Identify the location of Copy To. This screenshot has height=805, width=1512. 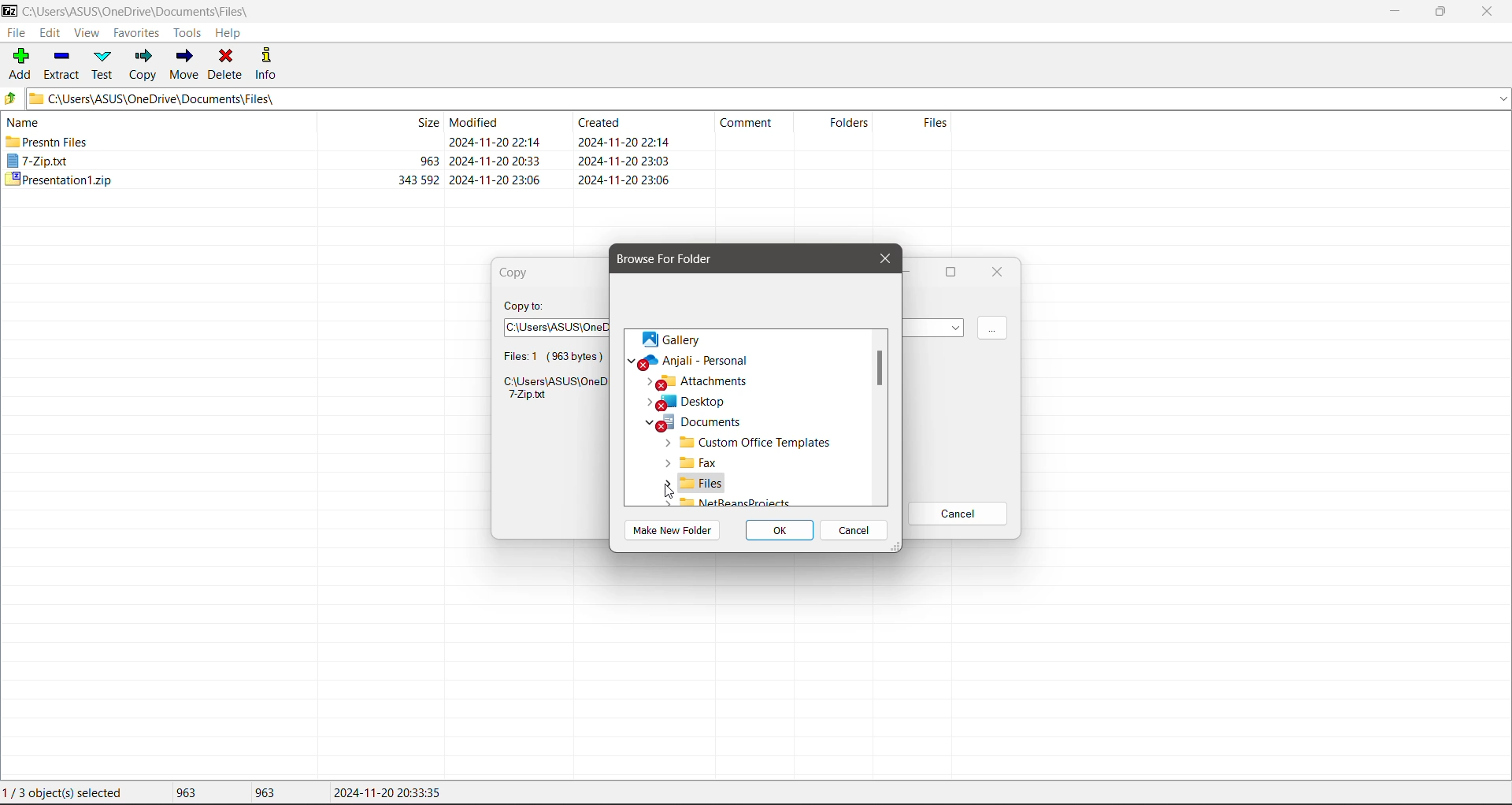
(525, 306).